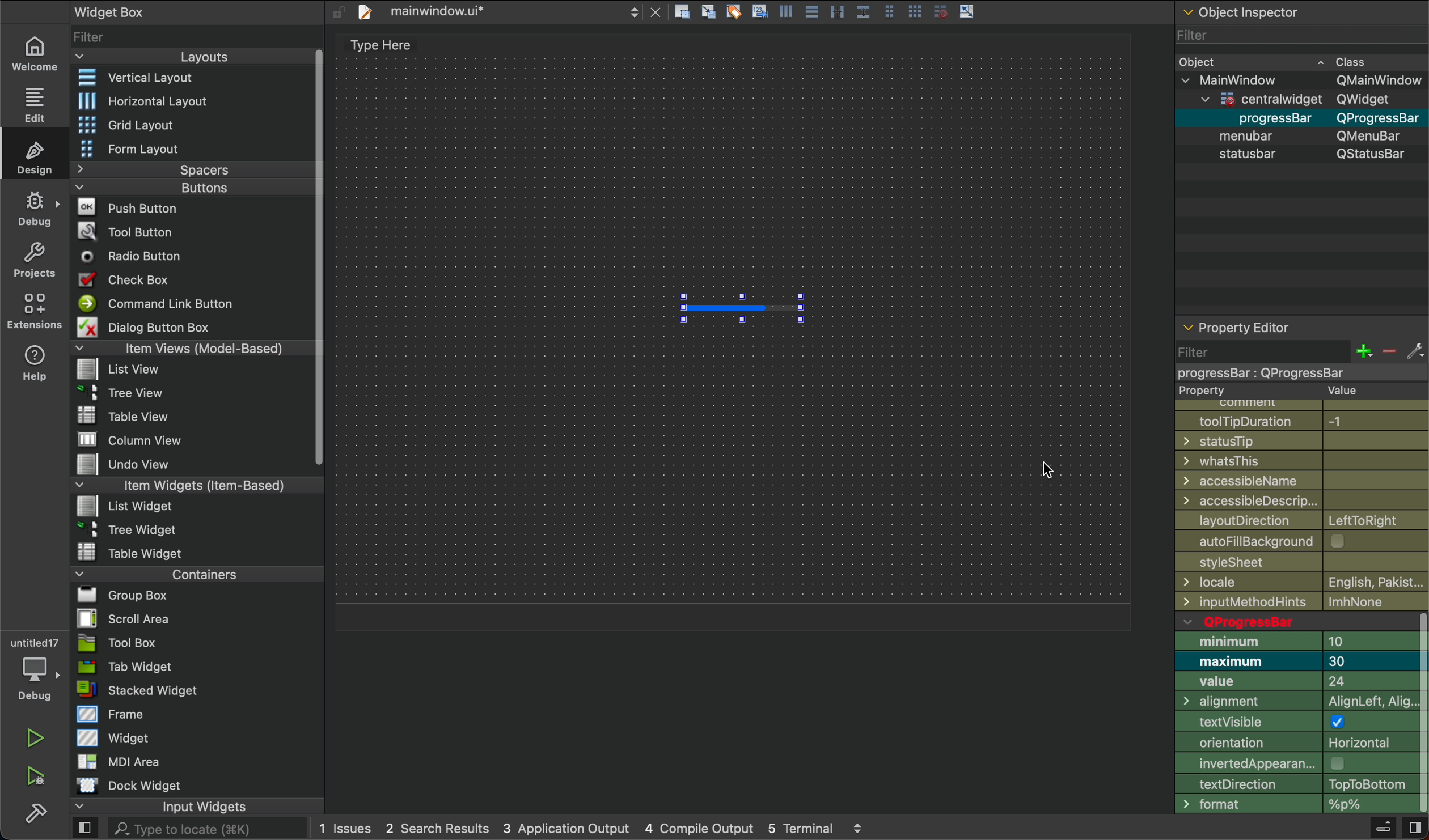 The width and height of the screenshot is (1429, 840). I want to click on layout actions buttons, so click(824, 14).